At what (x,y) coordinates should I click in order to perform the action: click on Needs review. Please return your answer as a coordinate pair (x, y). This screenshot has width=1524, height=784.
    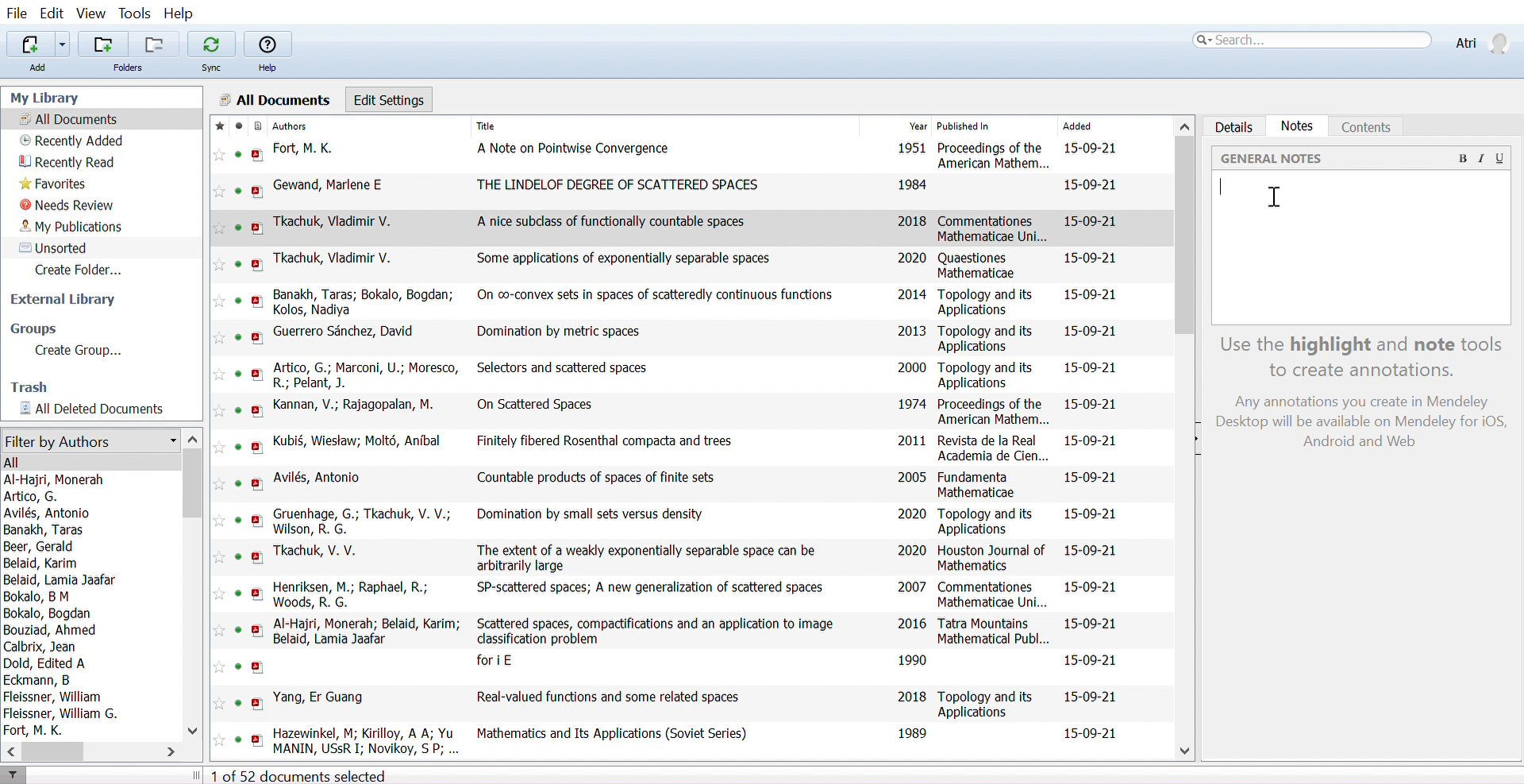
    Looking at the image, I should click on (67, 206).